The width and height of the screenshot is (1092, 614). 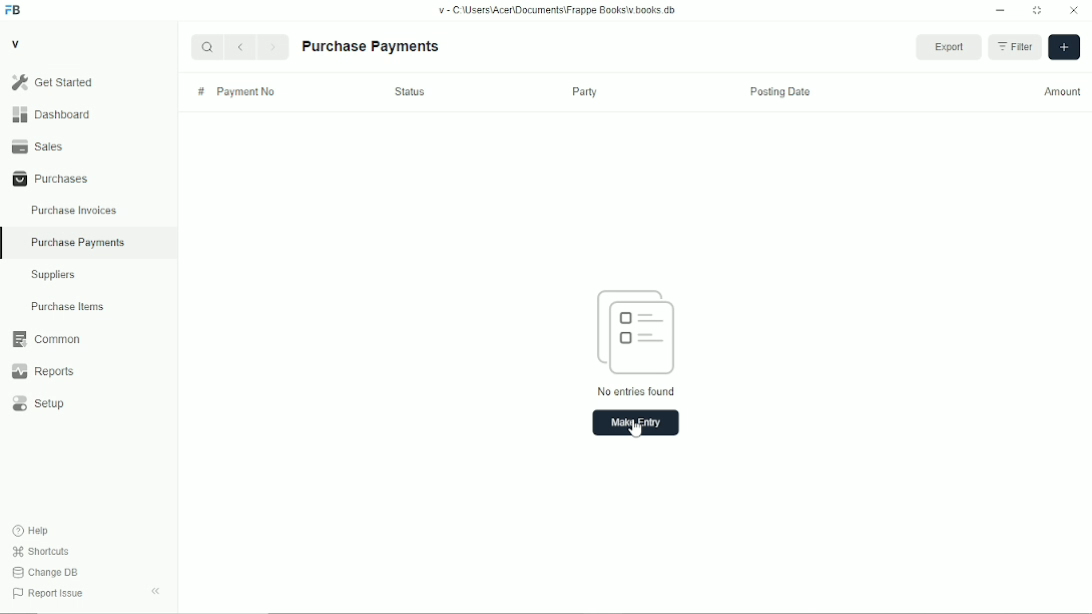 What do you see at coordinates (89, 339) in the screenshot?
I see `Common` at bounding box center [89, 339].